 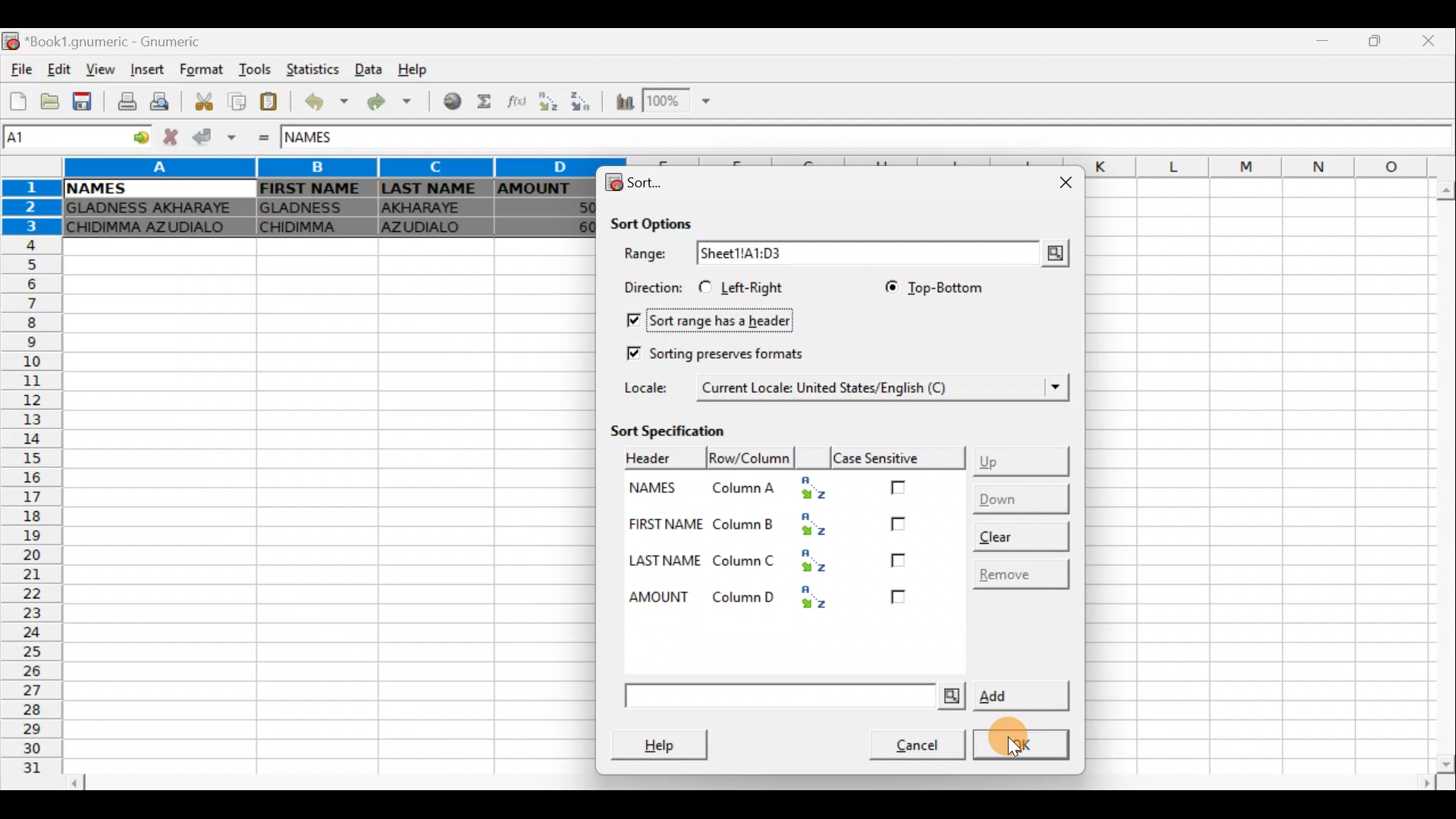 What do you see at coordinates (749, 789) in the screenshot?
I see `Scroll bar` at bounding box center [749, 789].